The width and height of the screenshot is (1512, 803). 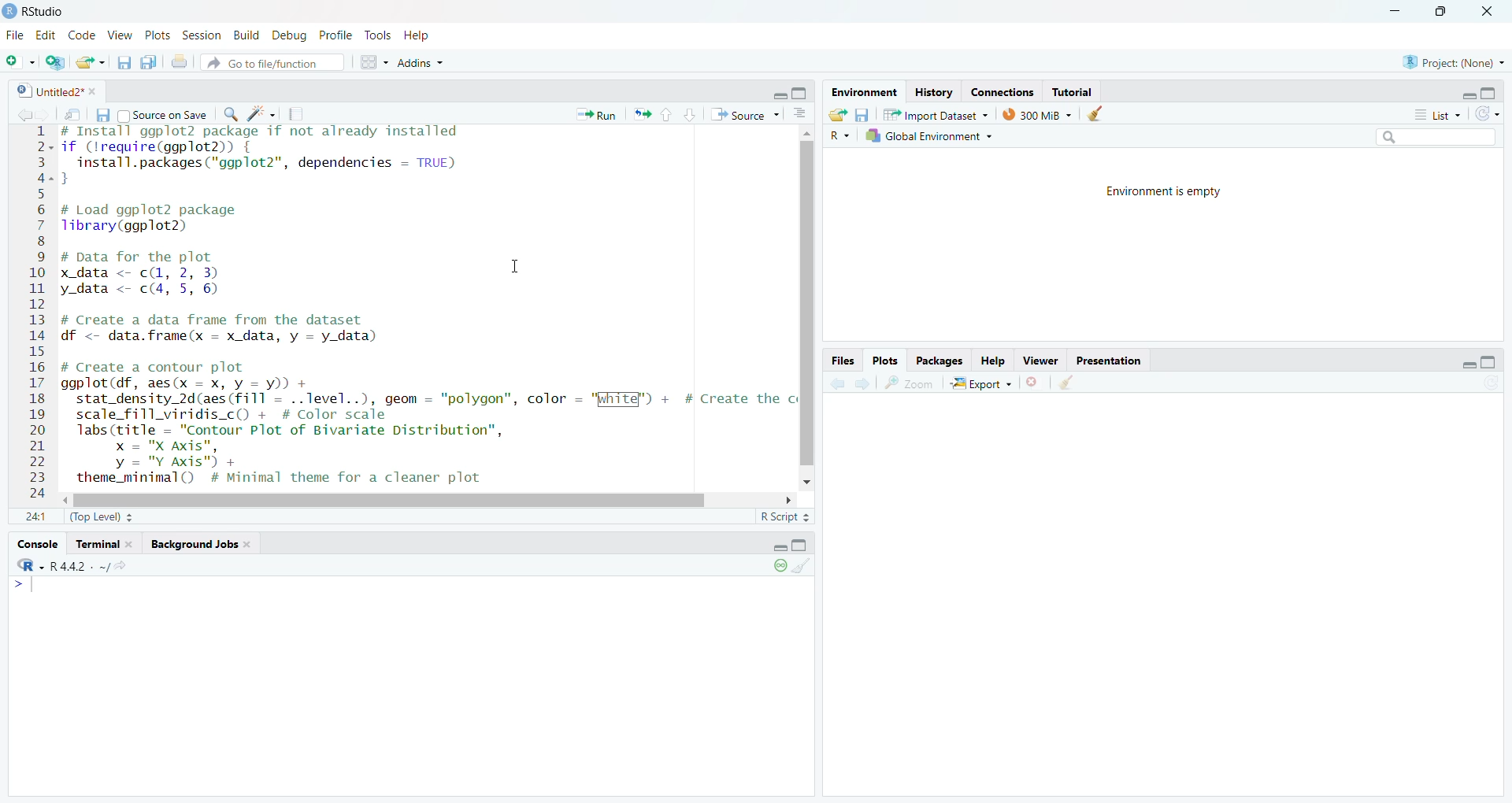 What do you see at coordinates (1464, 93) in the screenshot?
I see `hide r script` at bounding box center [1464, 93].